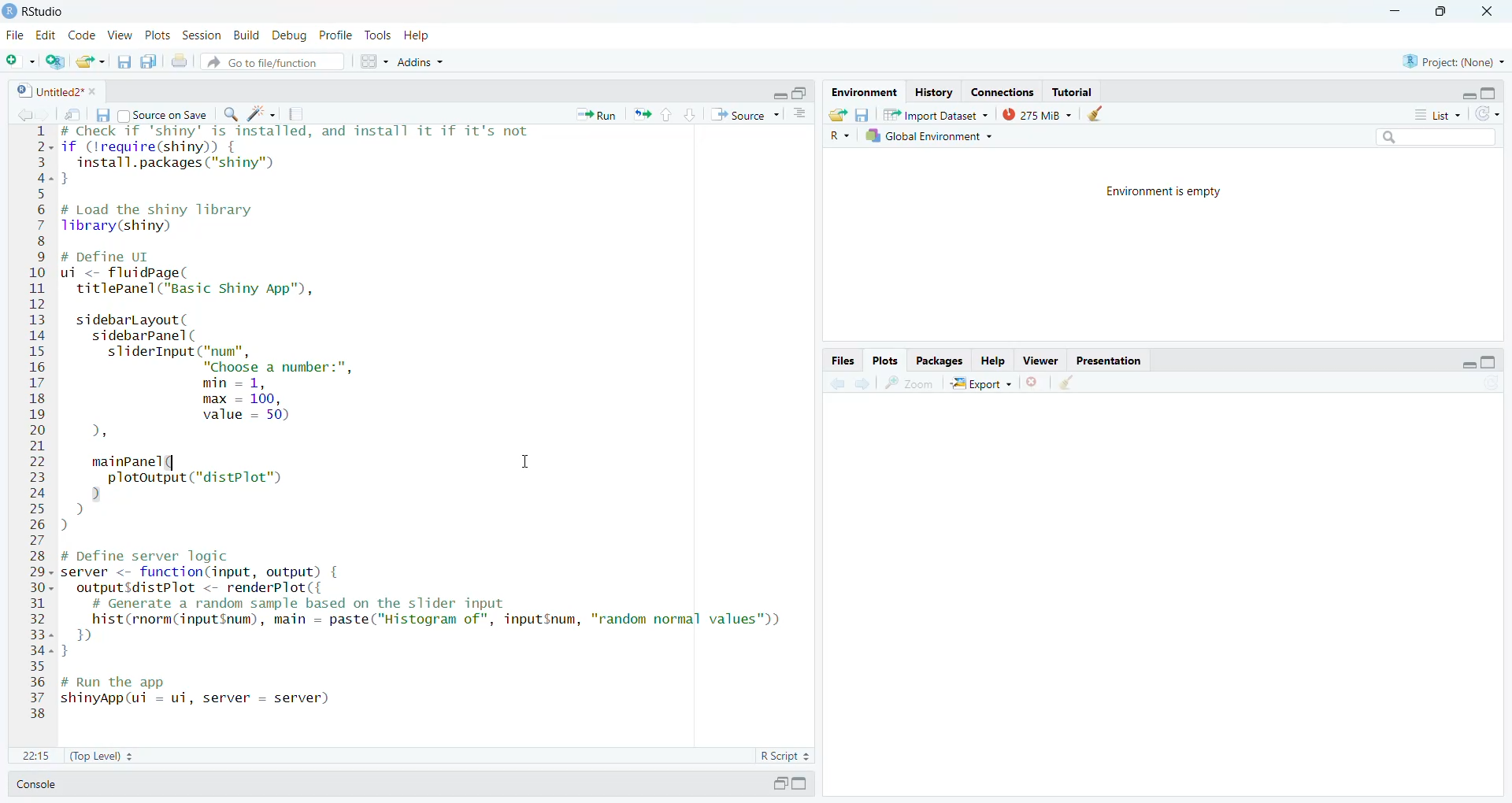 The height and width of the screenshot is (803, 1512). I want to click on 22:15, so click(36, 756).